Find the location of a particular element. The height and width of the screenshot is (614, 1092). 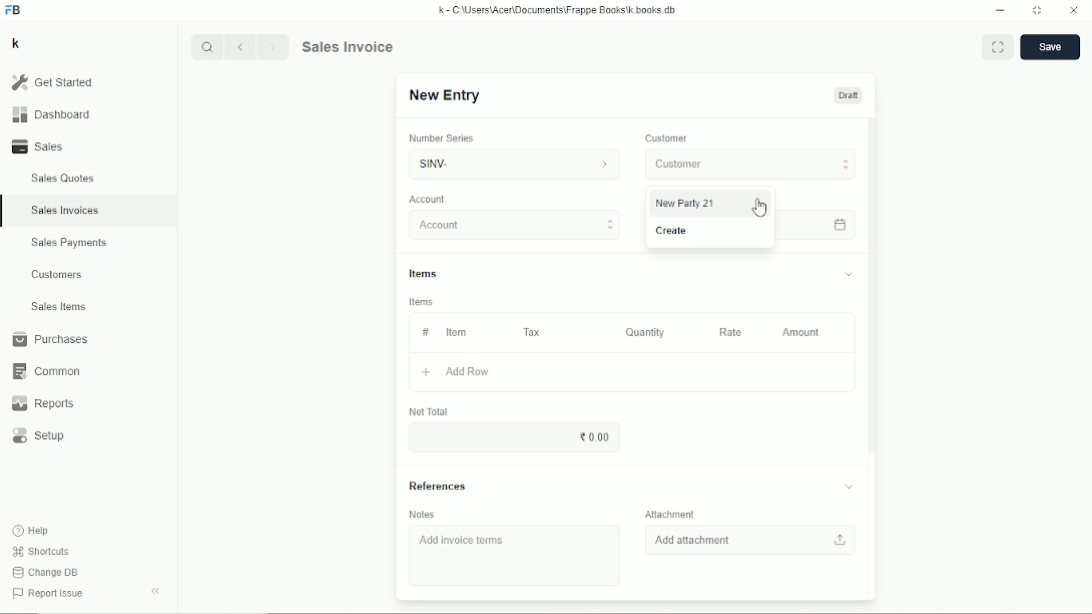

Toggle between form and full width is located at coordinates (998, 46).